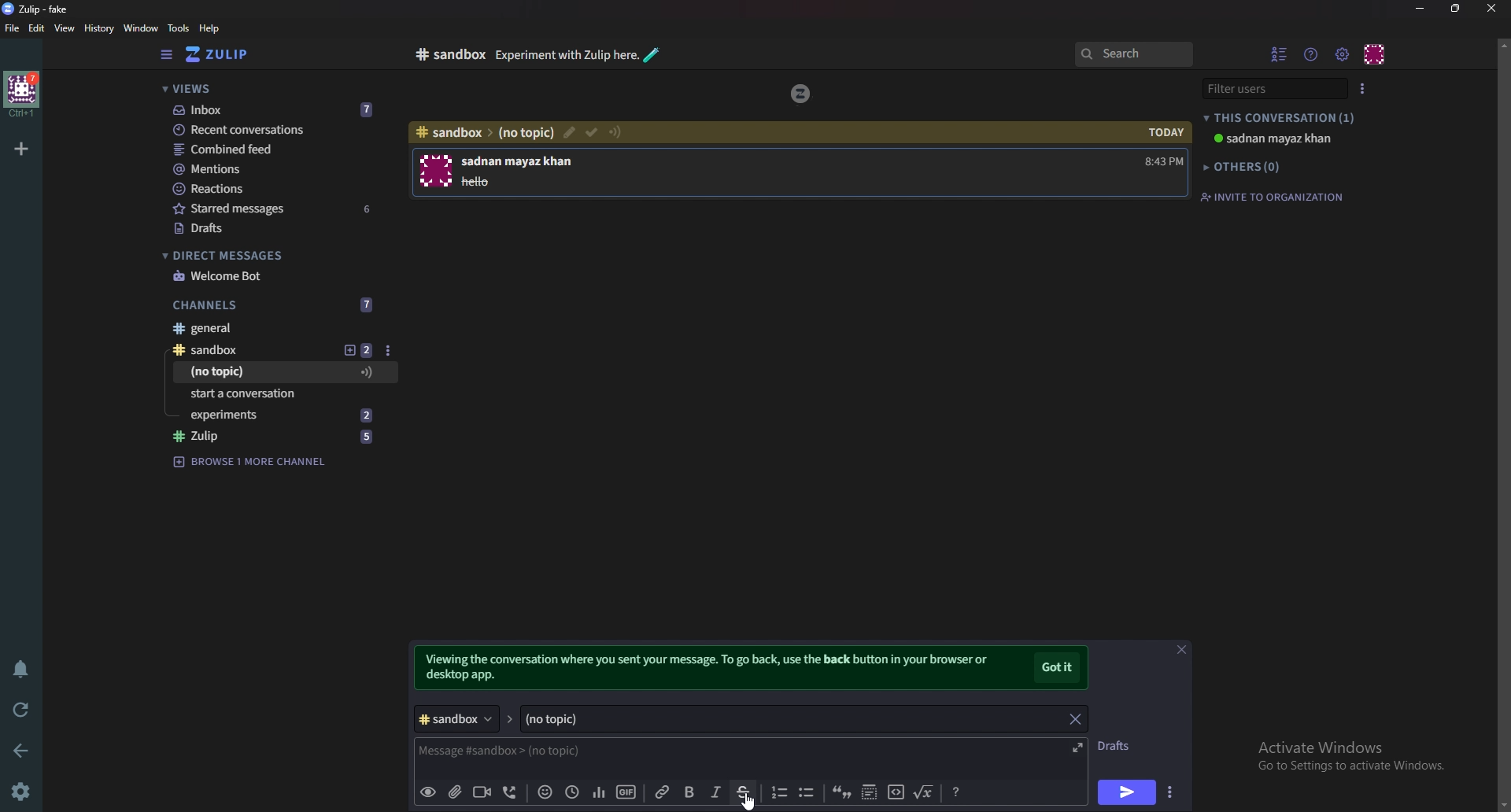 The image size is (1511, 812). What do you see at coordinates (275, 88) in the screenshot?
I see `views` at bounding box center [275, 88].